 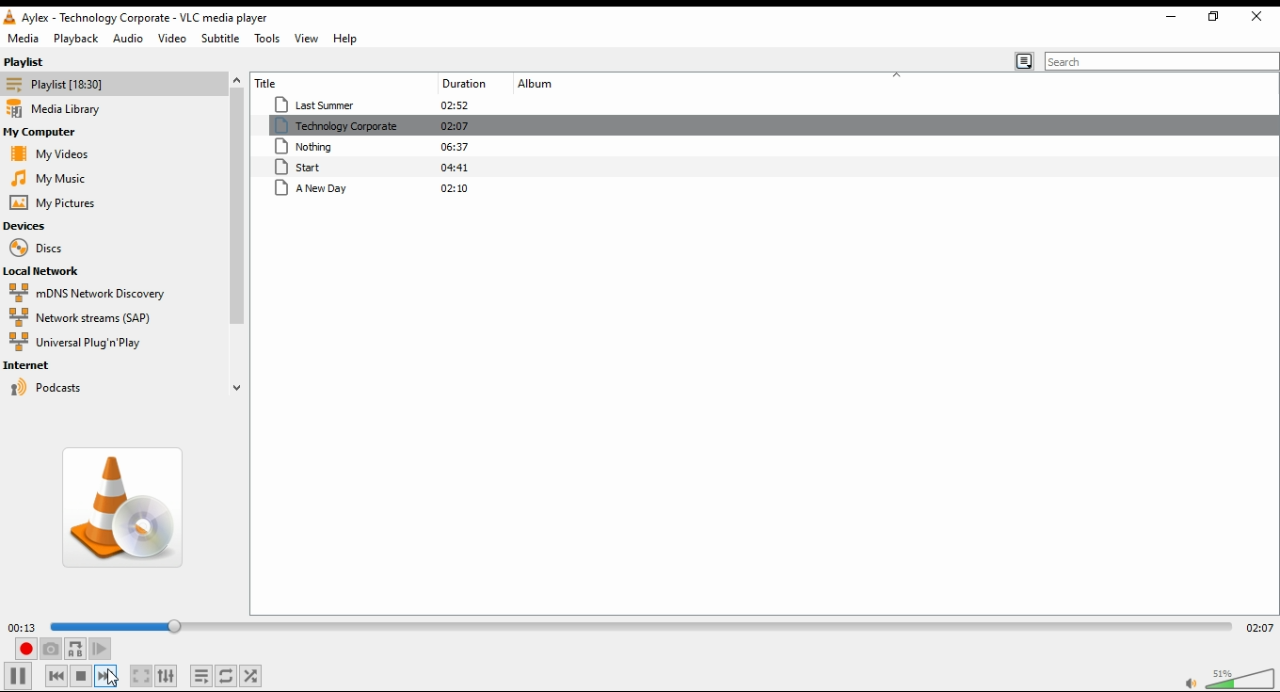 I want to click on network streams, so click(x=81, y=317).